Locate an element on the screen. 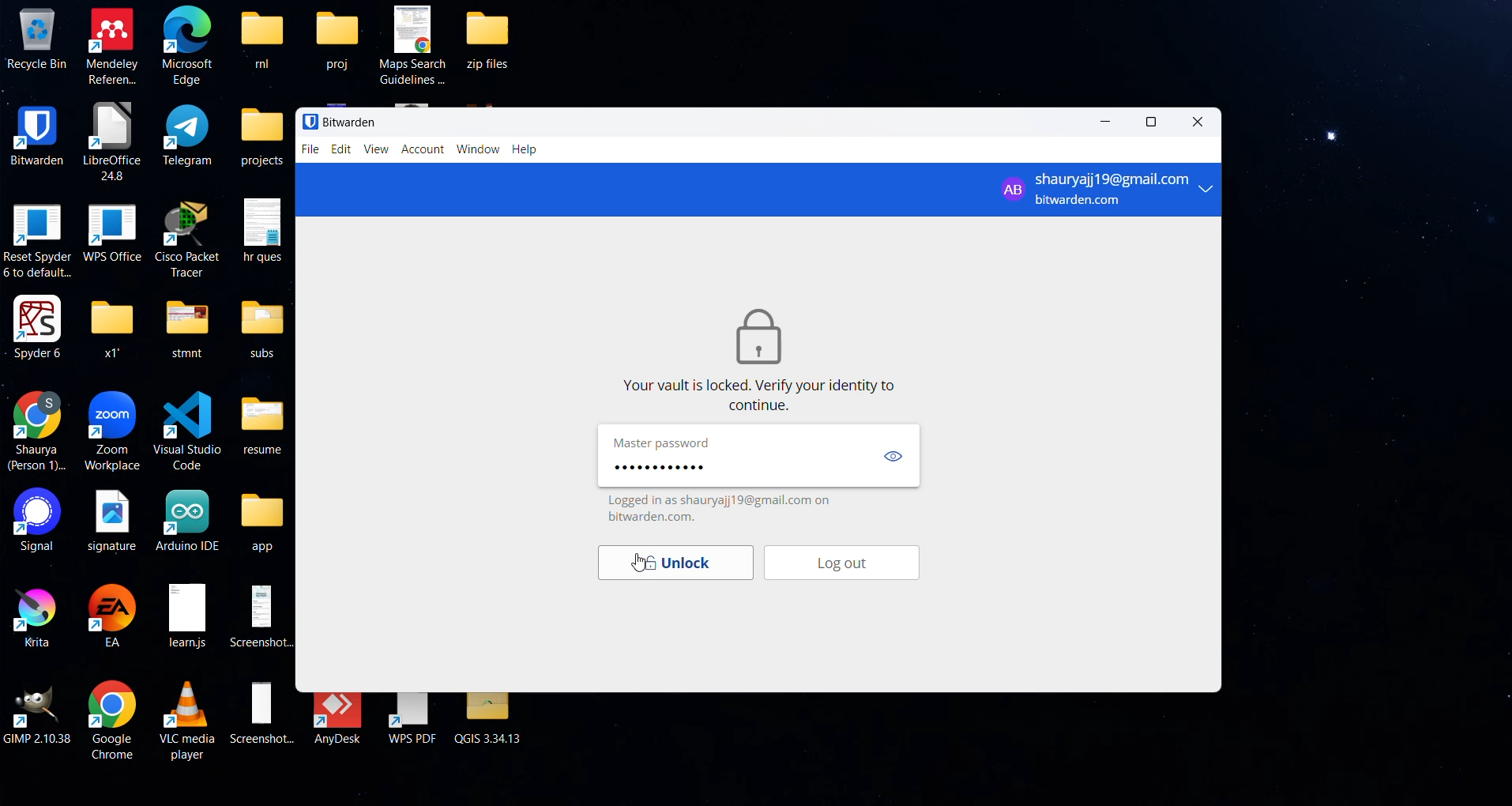 Image resolution: width=1512 pixels, height=806 pixels. LibreOffice 24.8 is located at coordinates (111, 141).